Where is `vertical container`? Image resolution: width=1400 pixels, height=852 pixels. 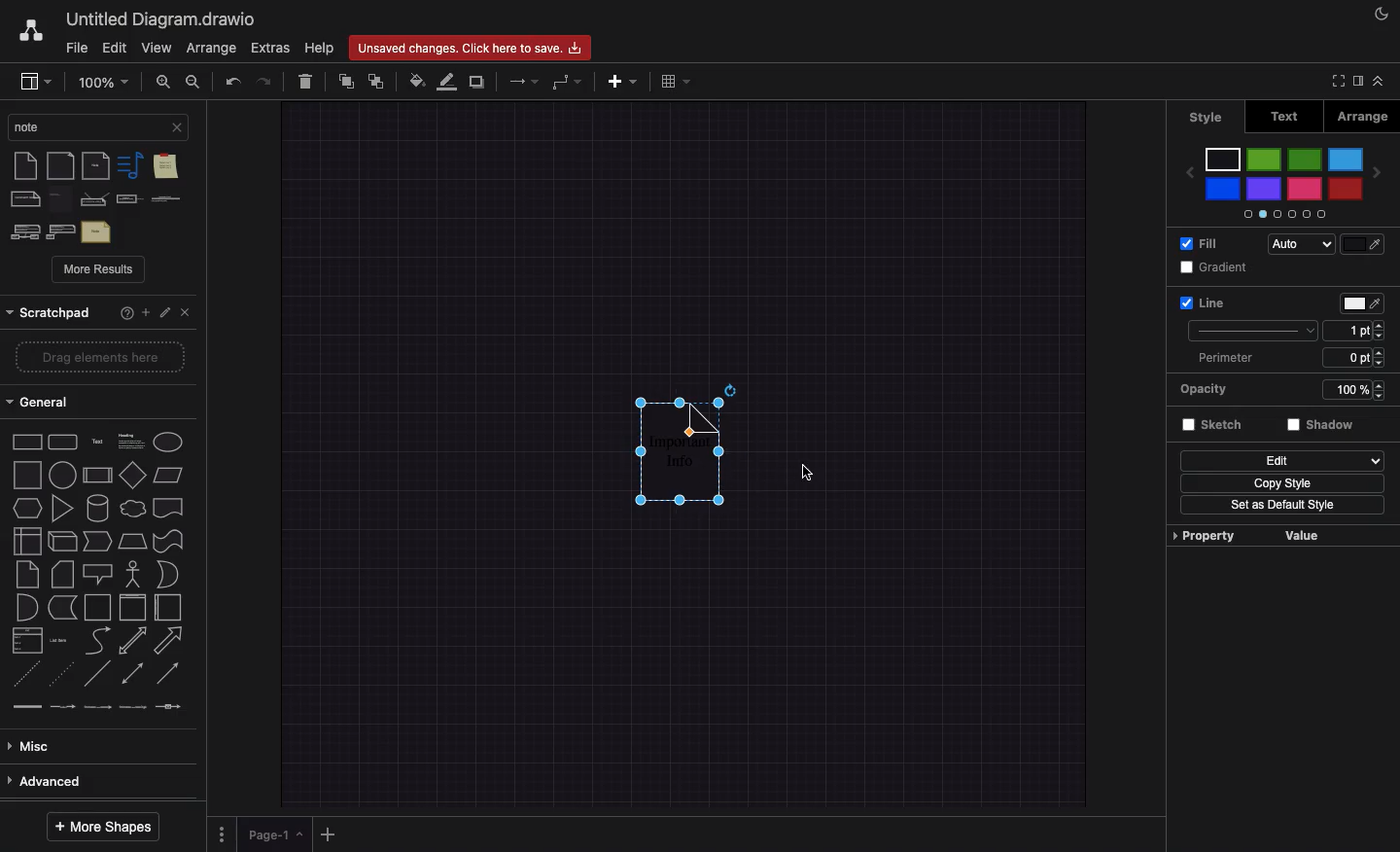
vertical container is located at coordinates (132, 607).